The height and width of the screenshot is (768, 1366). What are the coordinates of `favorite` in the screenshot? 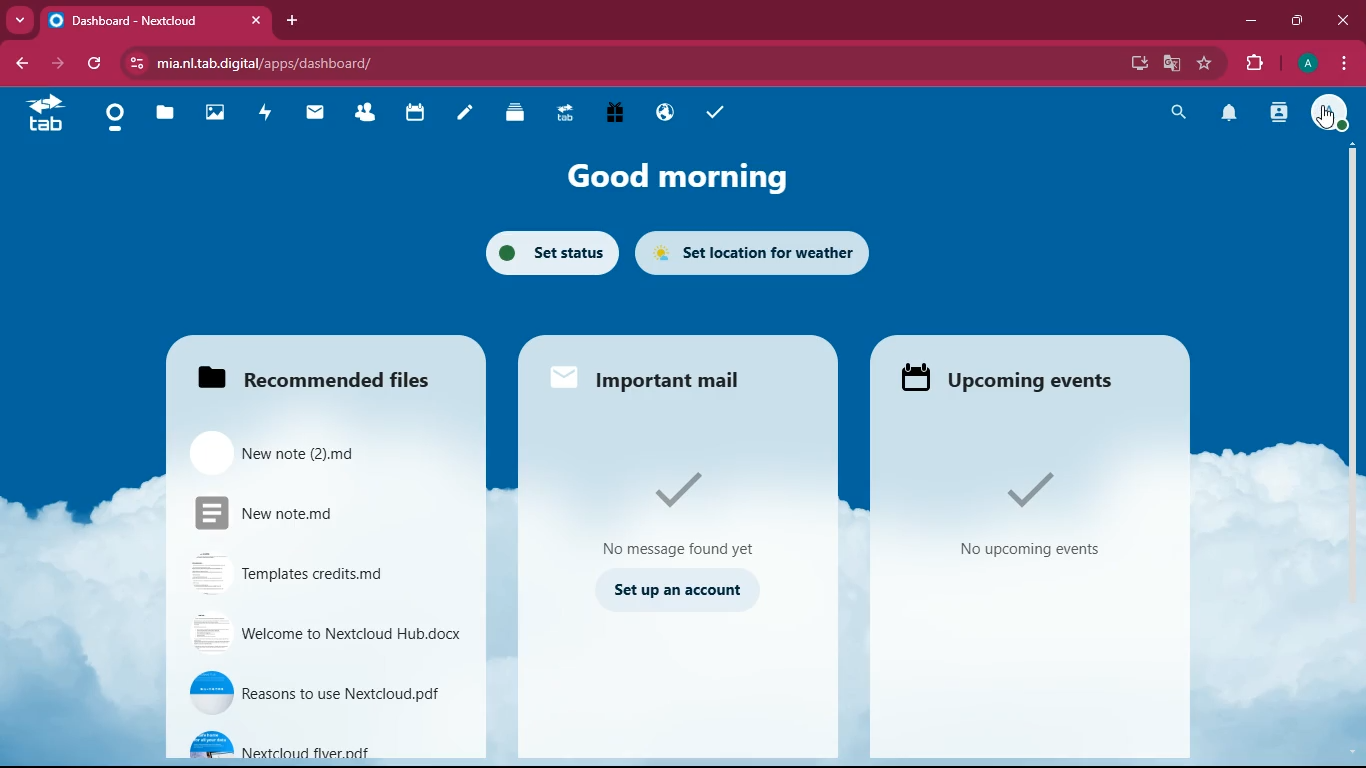 It's located at (1204, 64).